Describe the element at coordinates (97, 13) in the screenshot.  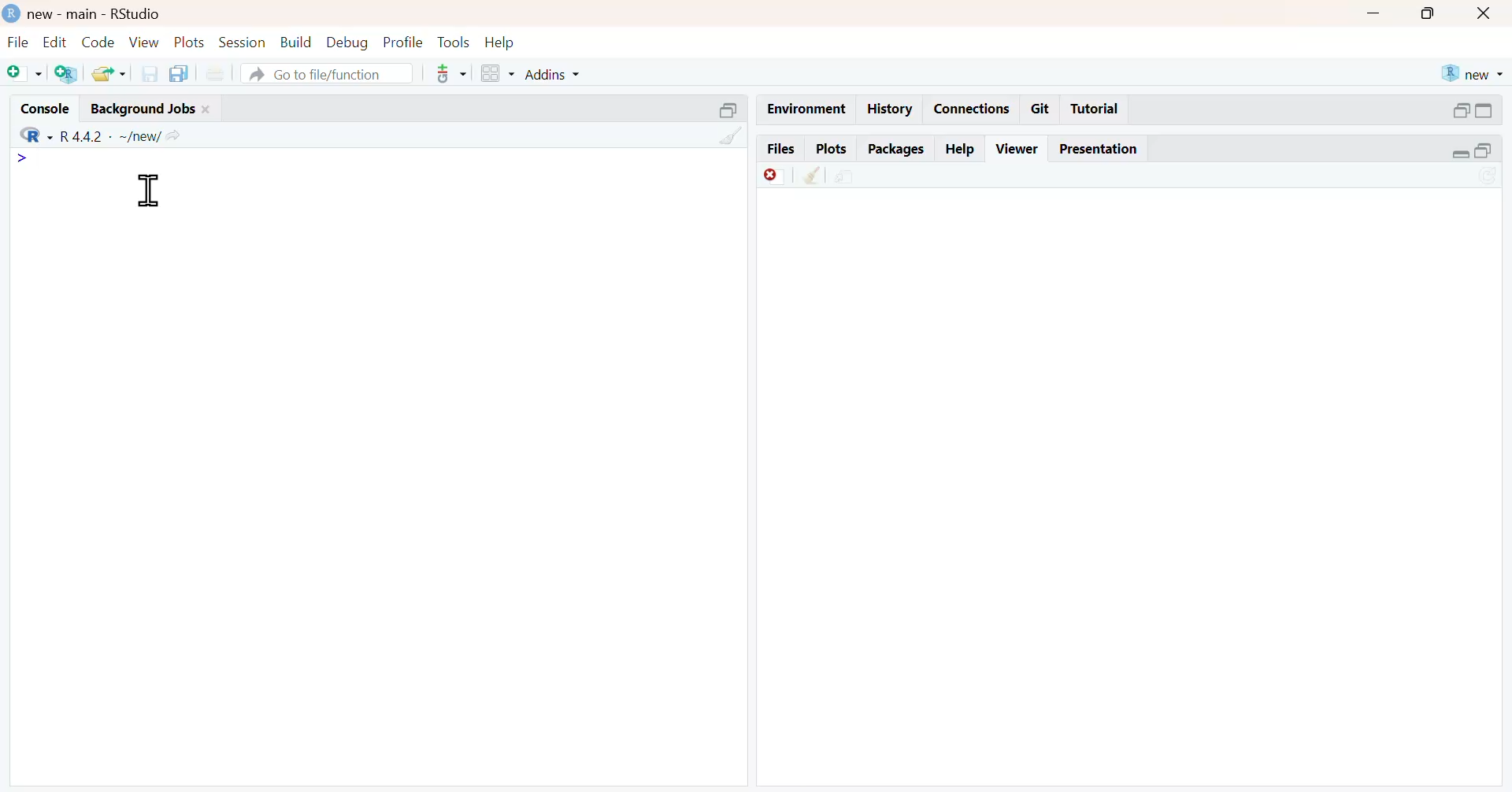
I see `new-main-RStudio` at that location.